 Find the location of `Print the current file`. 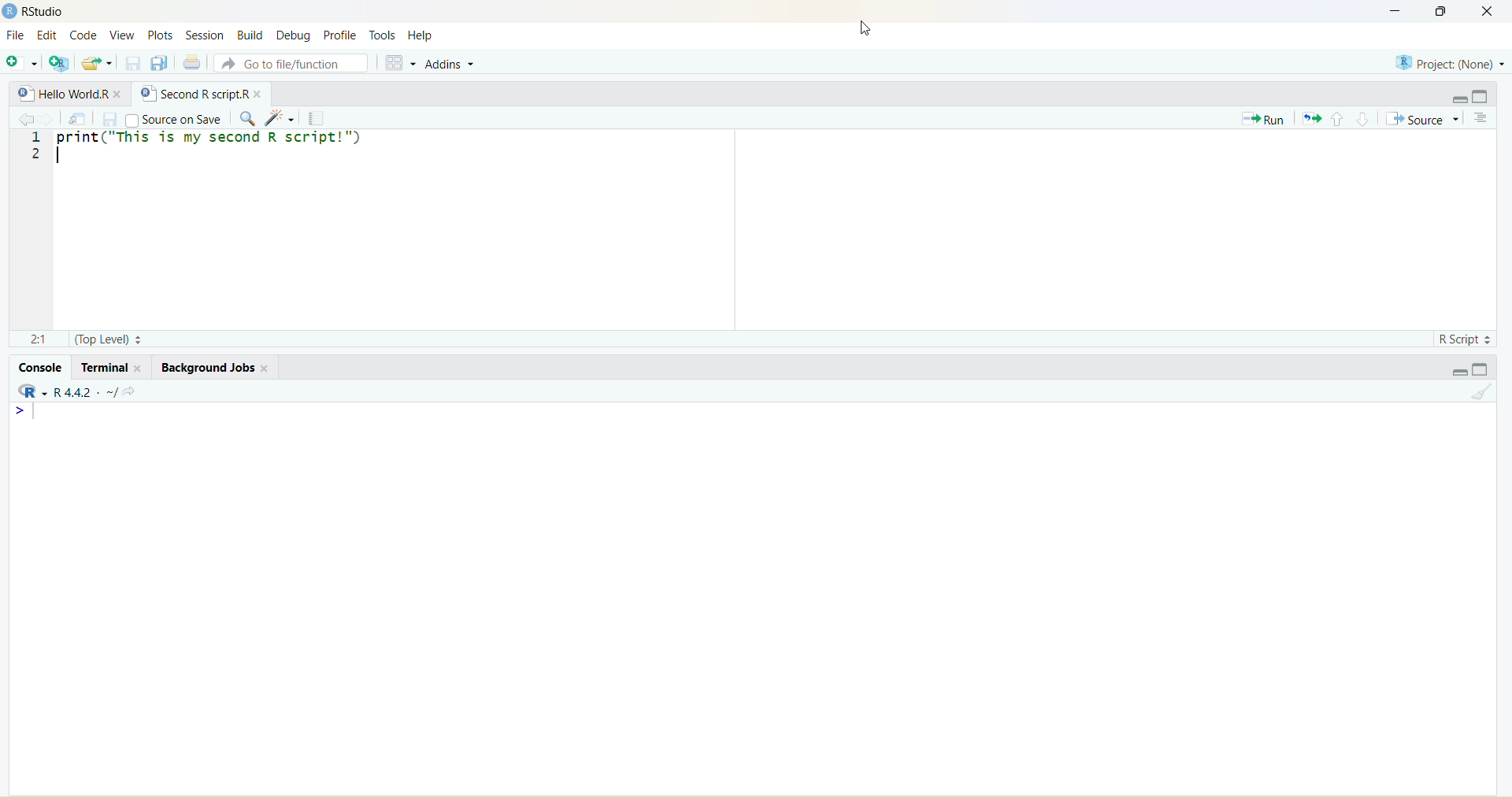

Print the current file is located at coordinates (191, 62).